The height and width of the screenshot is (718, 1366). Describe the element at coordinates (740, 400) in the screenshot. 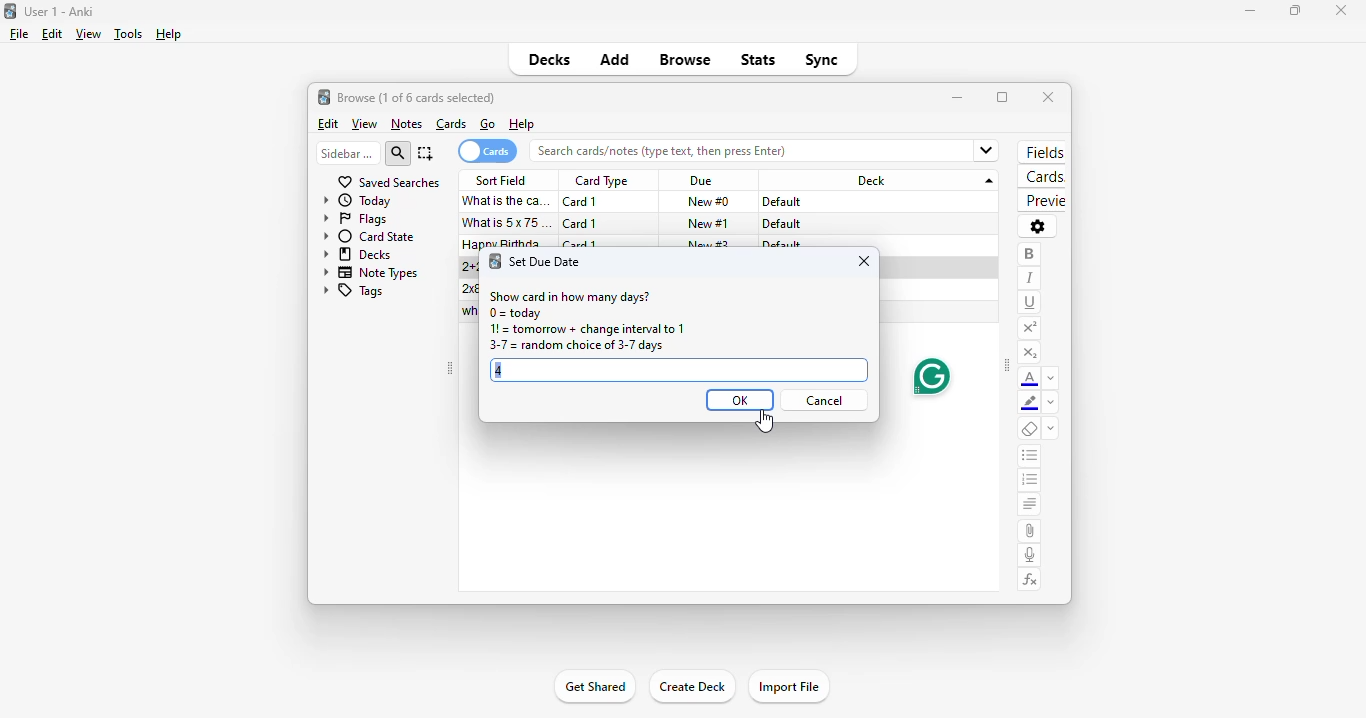

I see `OK` at that location.